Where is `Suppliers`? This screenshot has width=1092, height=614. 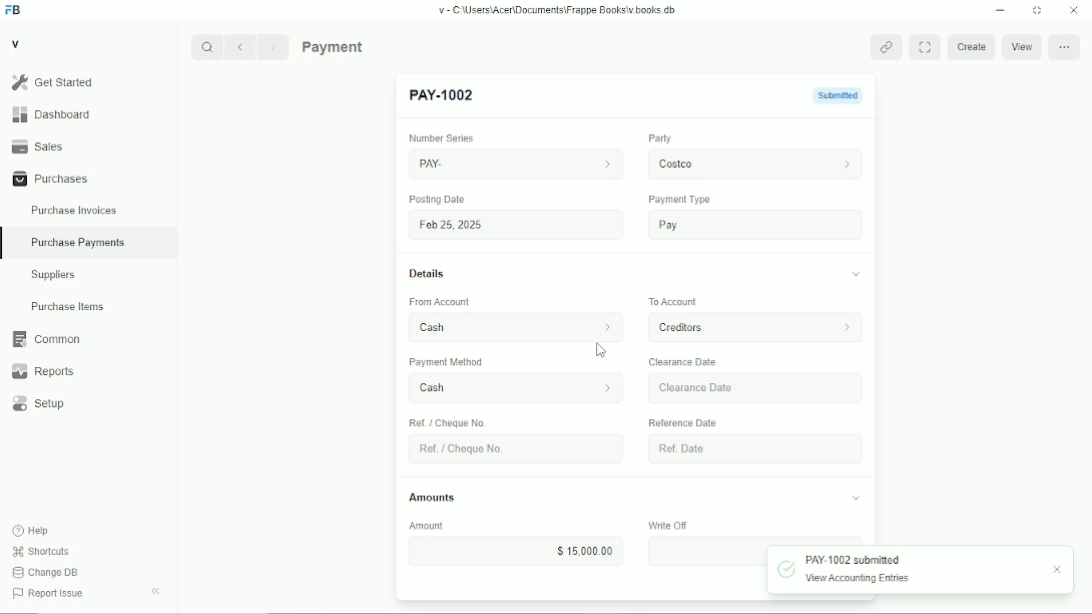
Suppliers is located at coordinates (89, 275).